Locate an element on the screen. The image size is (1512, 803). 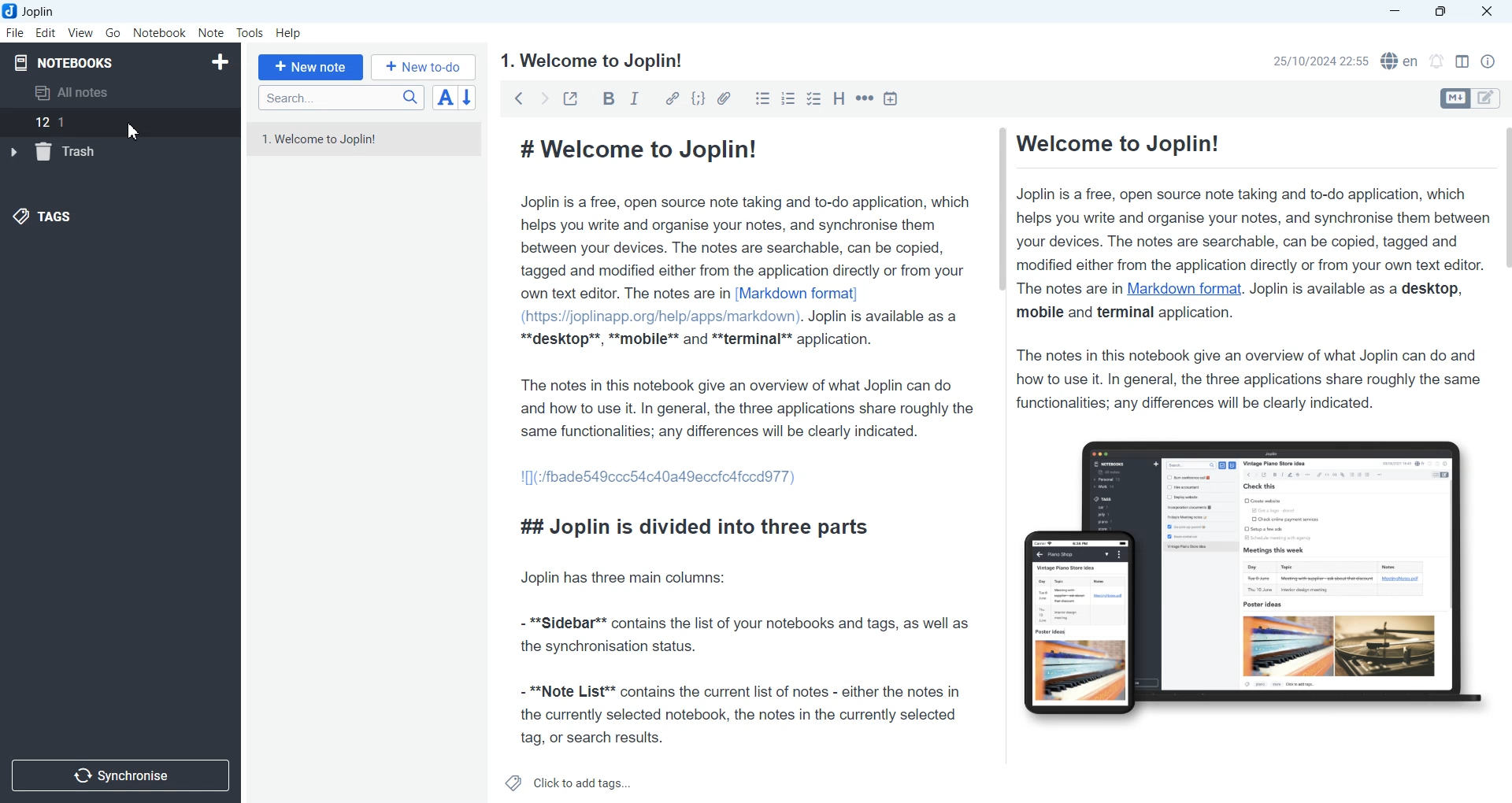
Hyperlink is located at coordinates (669, 97).